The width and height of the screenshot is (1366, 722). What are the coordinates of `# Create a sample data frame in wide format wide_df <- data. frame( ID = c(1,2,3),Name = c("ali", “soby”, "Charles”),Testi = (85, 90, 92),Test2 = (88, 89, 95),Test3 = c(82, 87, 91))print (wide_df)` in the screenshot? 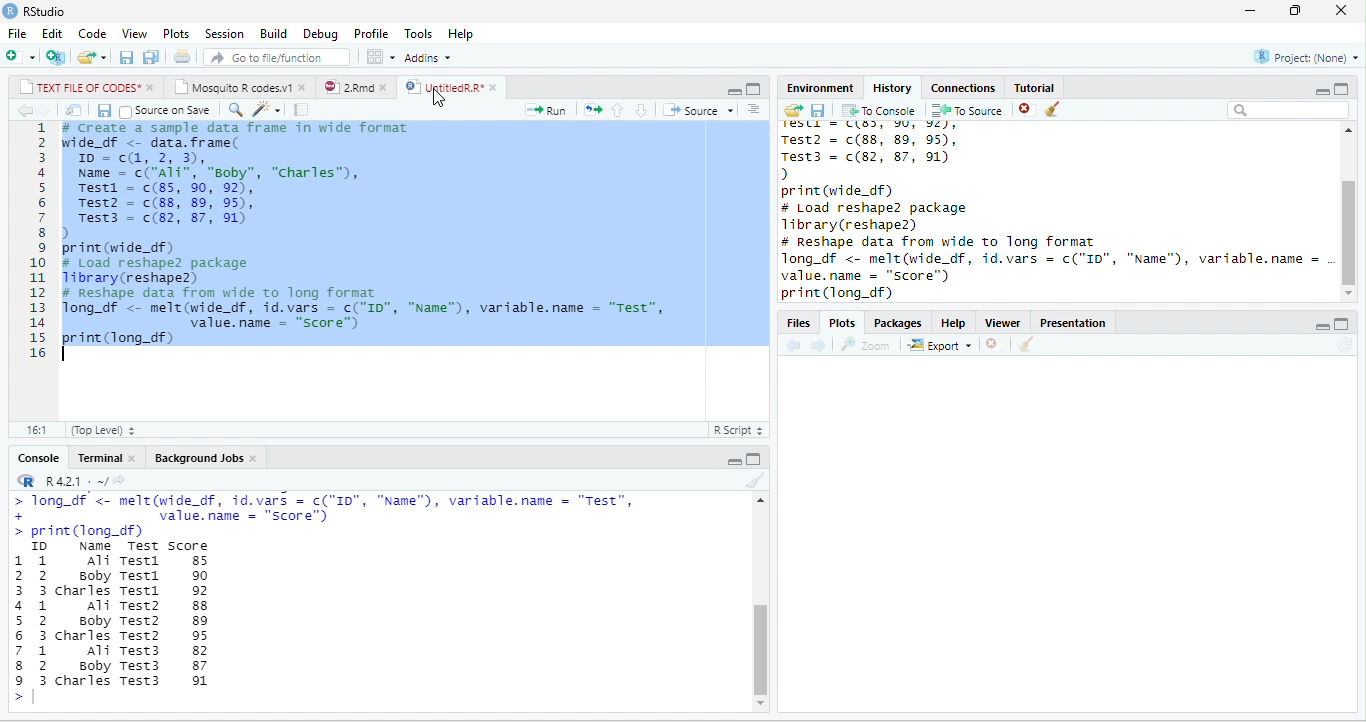 It's located at (235, 188).